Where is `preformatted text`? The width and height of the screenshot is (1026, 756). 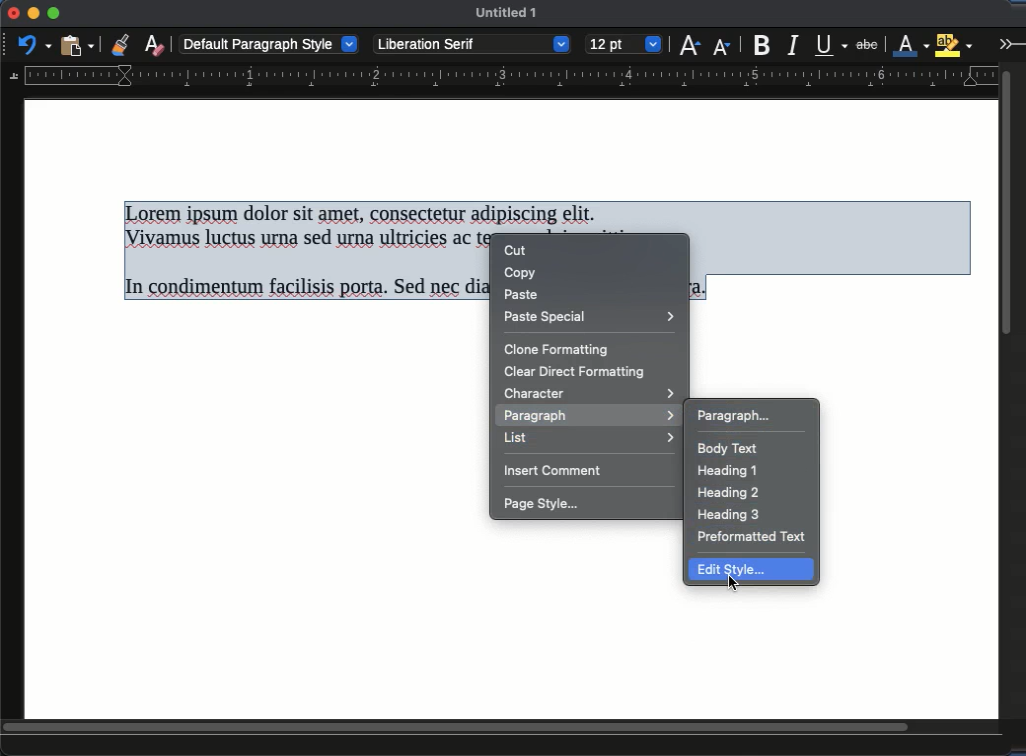
preformatted text is located at coordinates (754, 536).